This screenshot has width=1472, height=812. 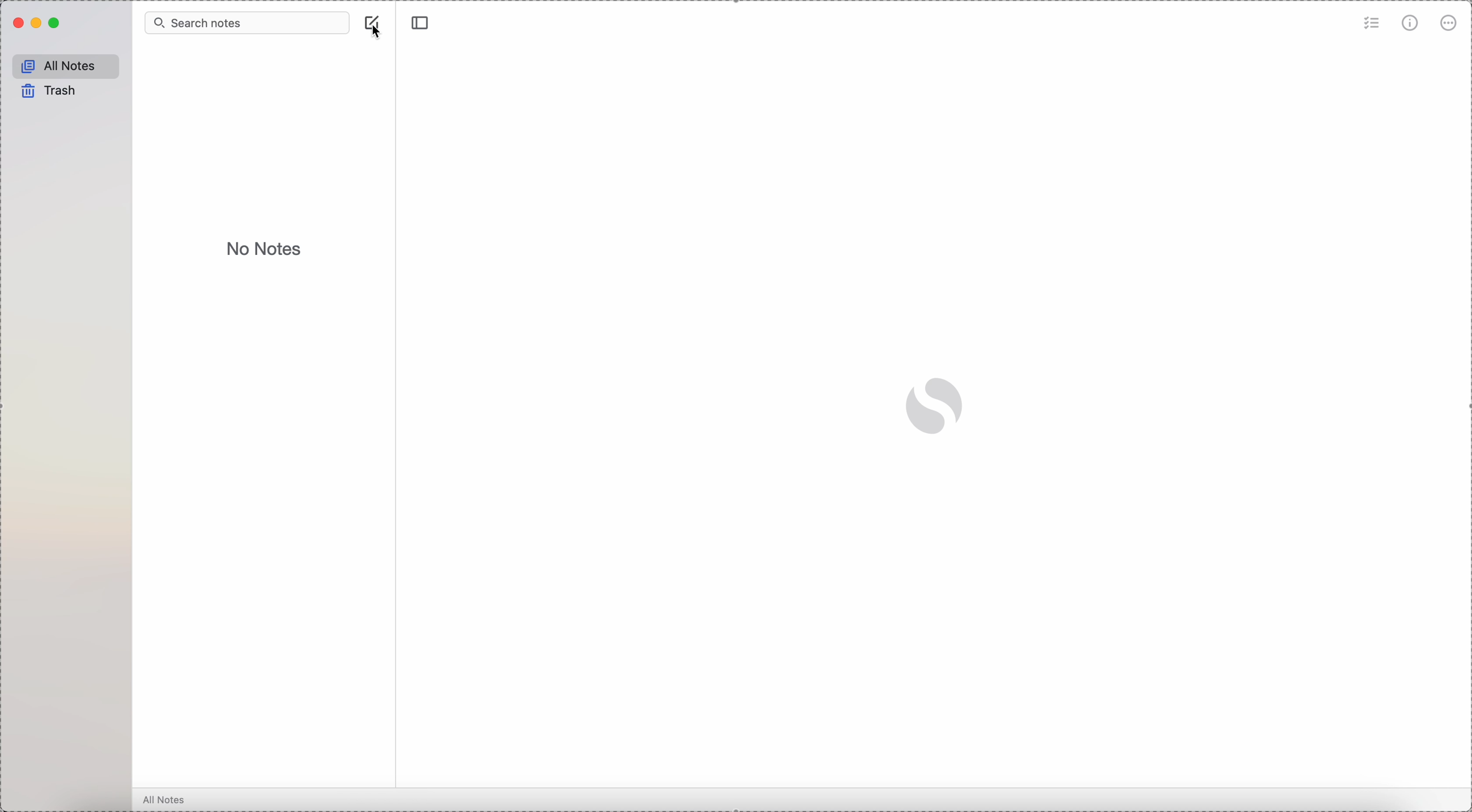 What do you see at coordinates (1370, 25) in the screenshot?
I see `check list` at bounding box center [1370, 25].